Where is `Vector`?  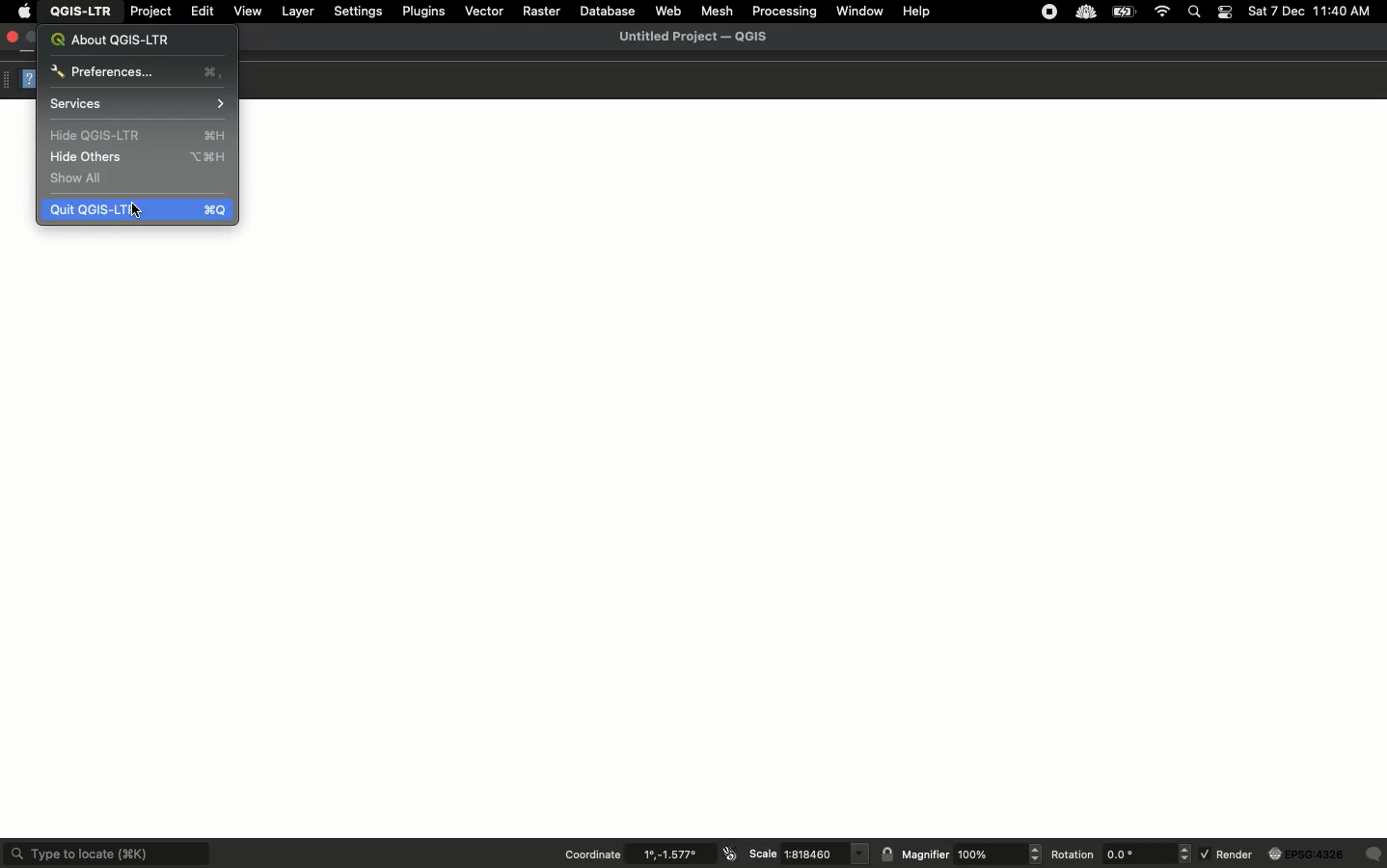 Vector is located at coordinates (486, 11).